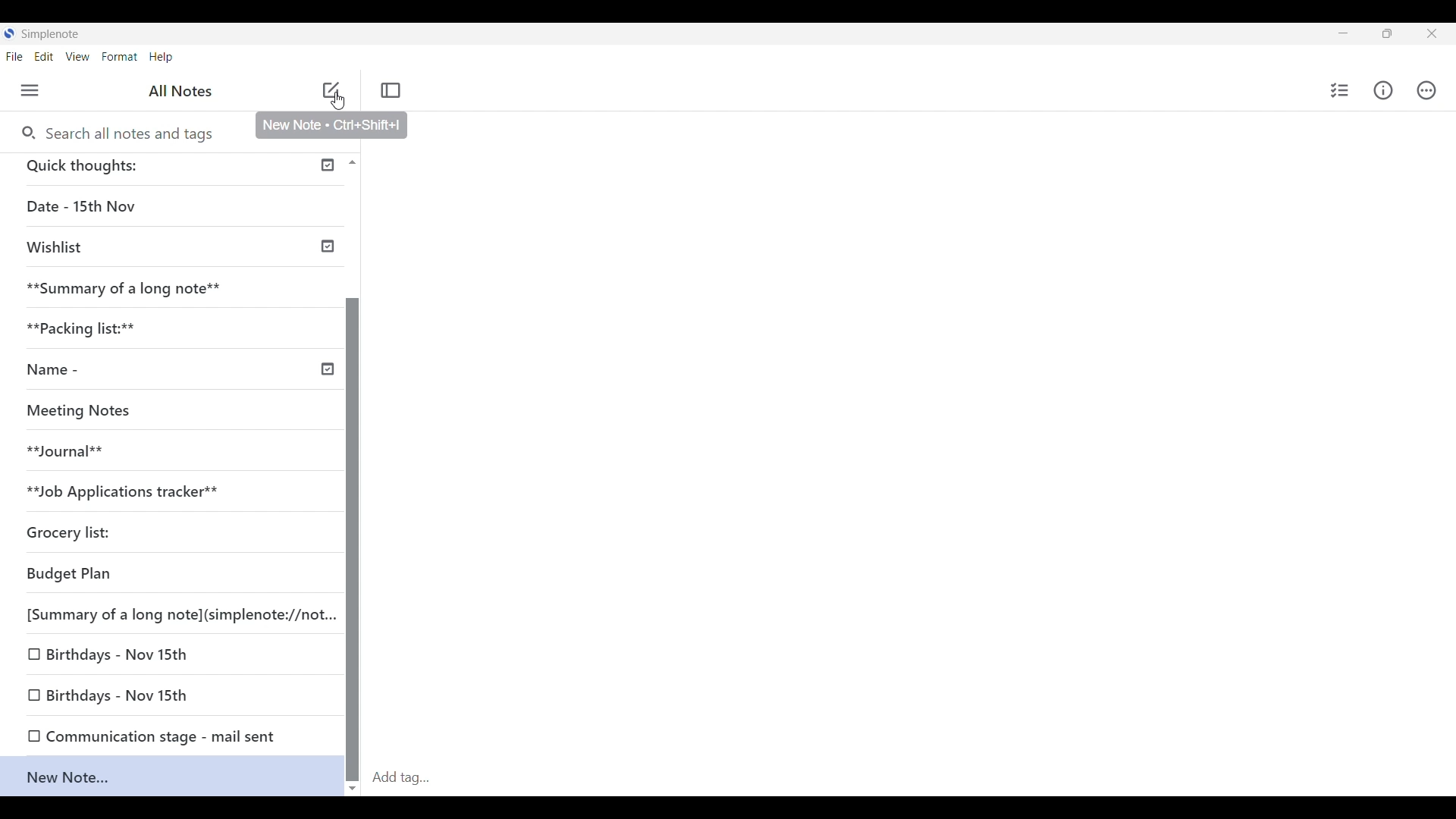  What do you see at coordinates (1340, 32) in the screenshot?
I see `Minimize` at bounding box center [1340, 32].